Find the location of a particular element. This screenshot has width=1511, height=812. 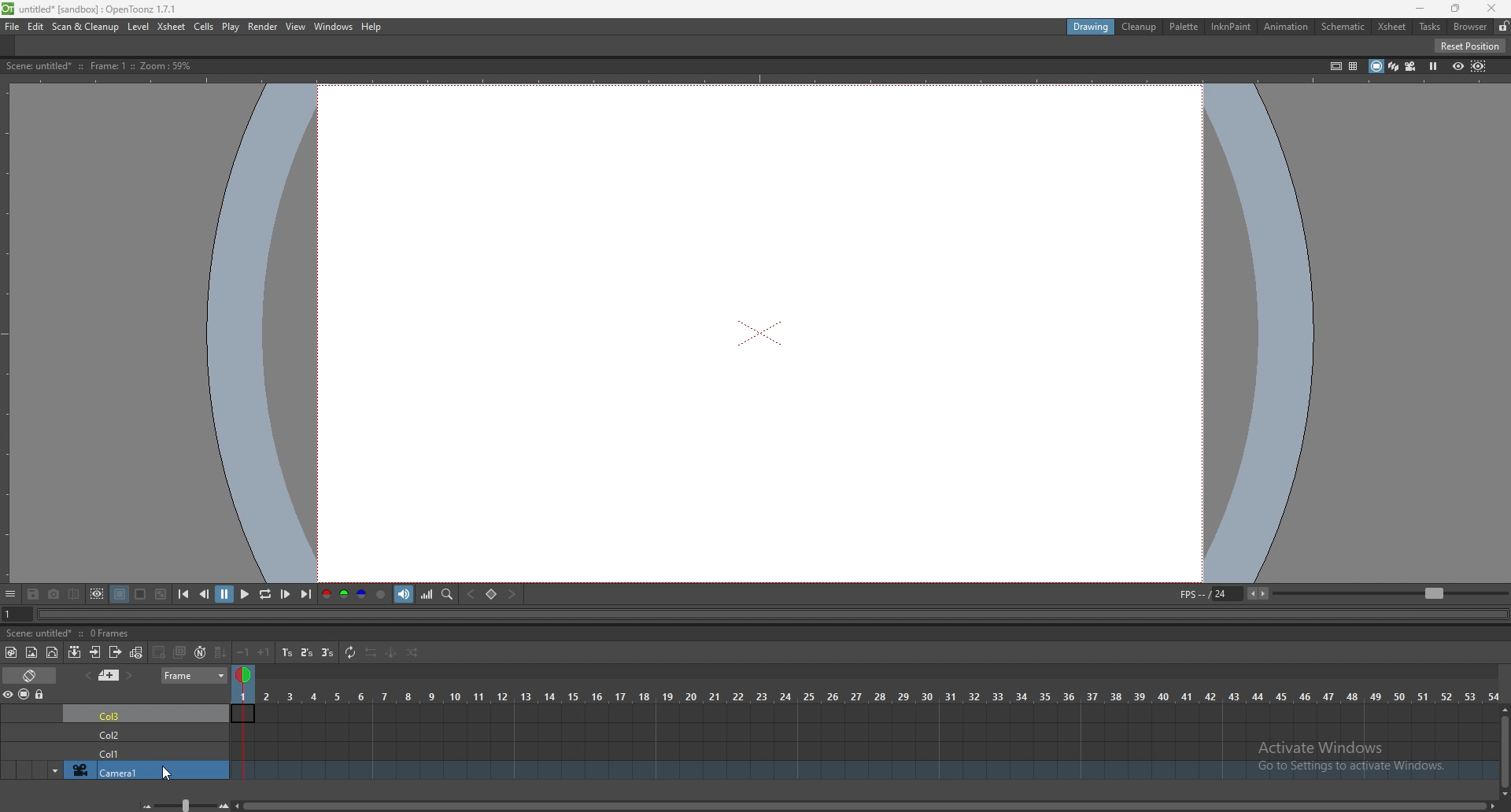

decrease step is located at coordinates (244, 652).